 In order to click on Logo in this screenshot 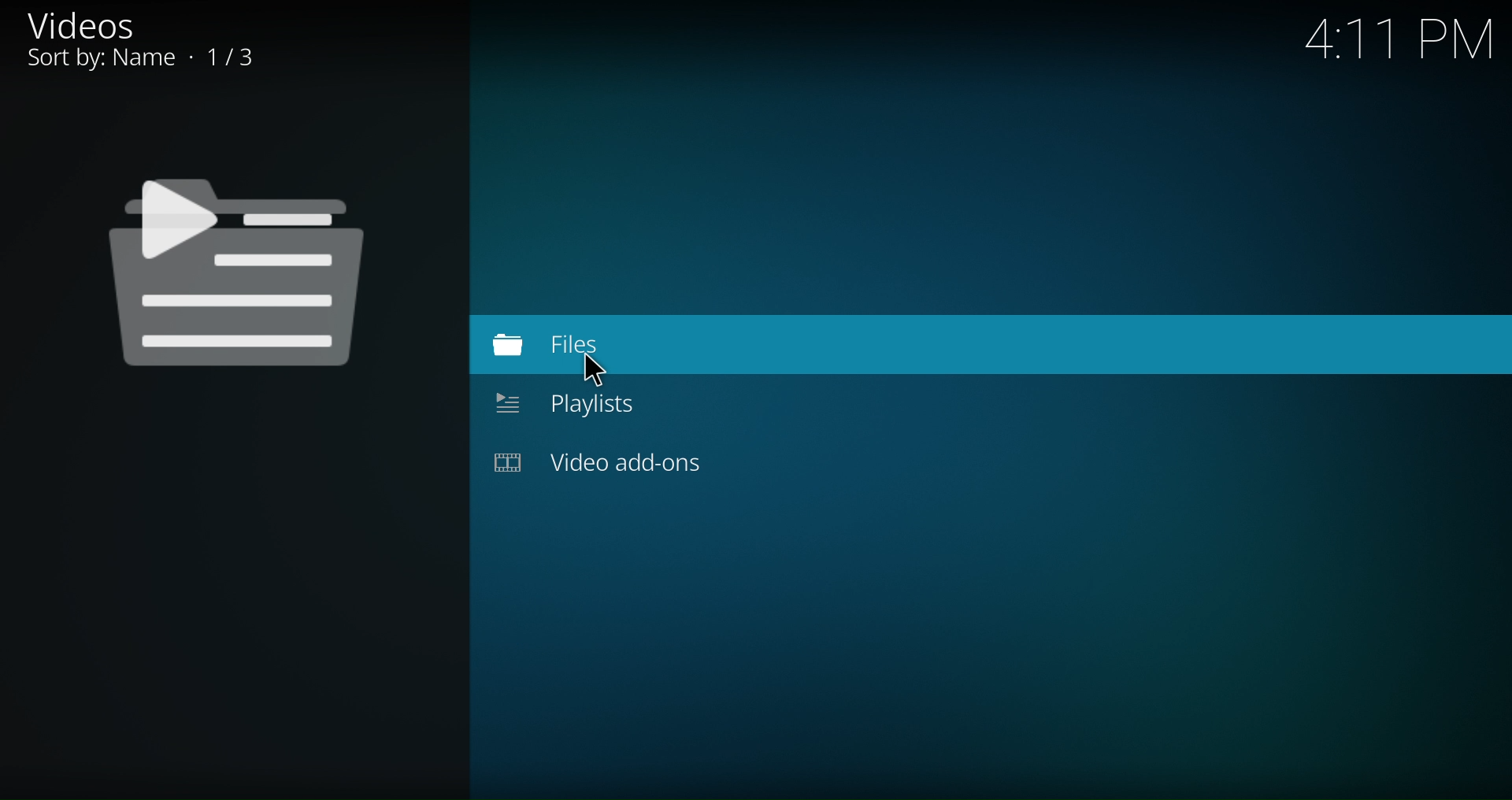, I will do `click(238, 266)`.